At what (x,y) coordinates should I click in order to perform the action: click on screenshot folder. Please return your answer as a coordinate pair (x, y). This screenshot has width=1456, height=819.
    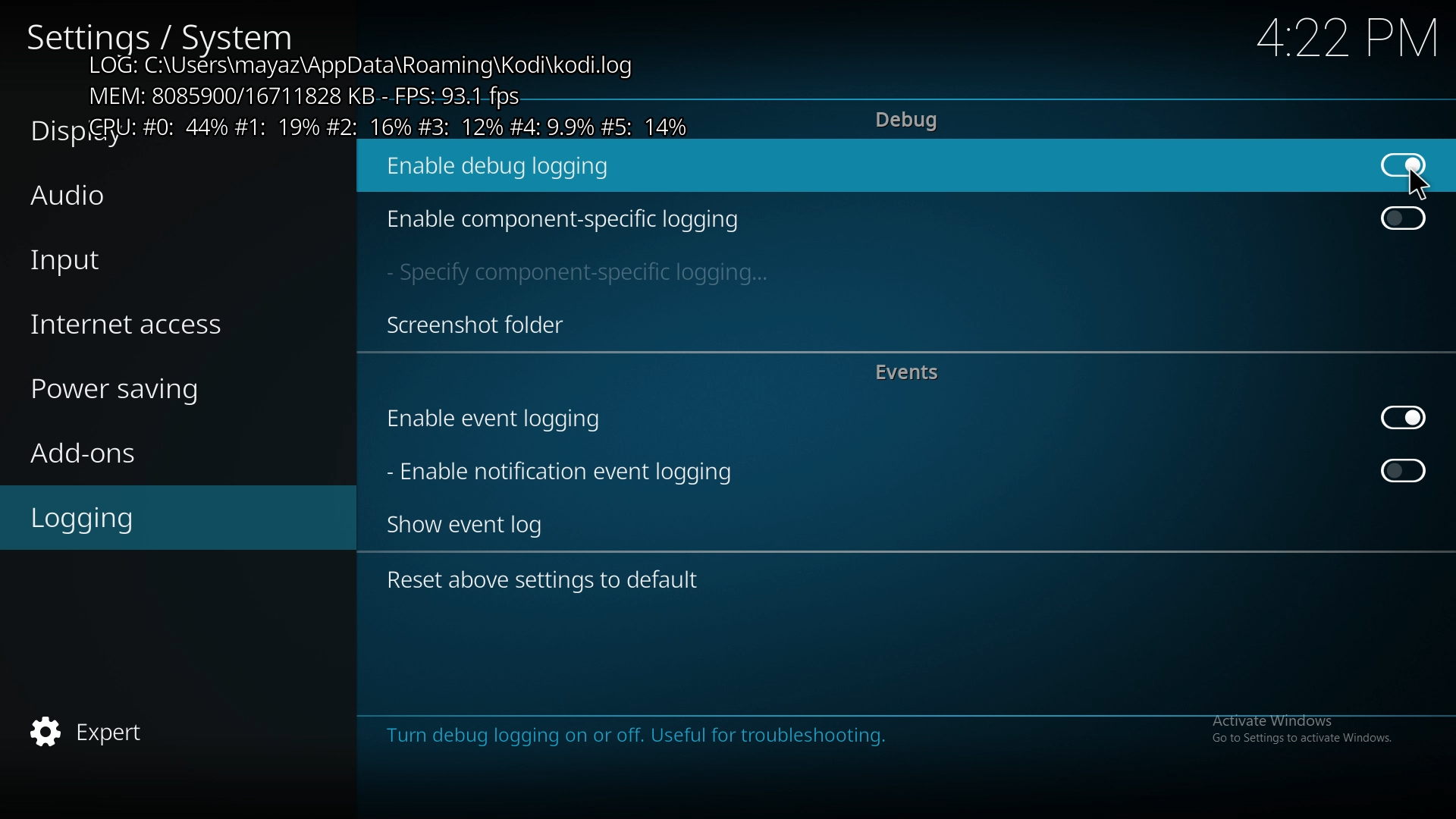
    Looking at the image, I should click on (476, 325).